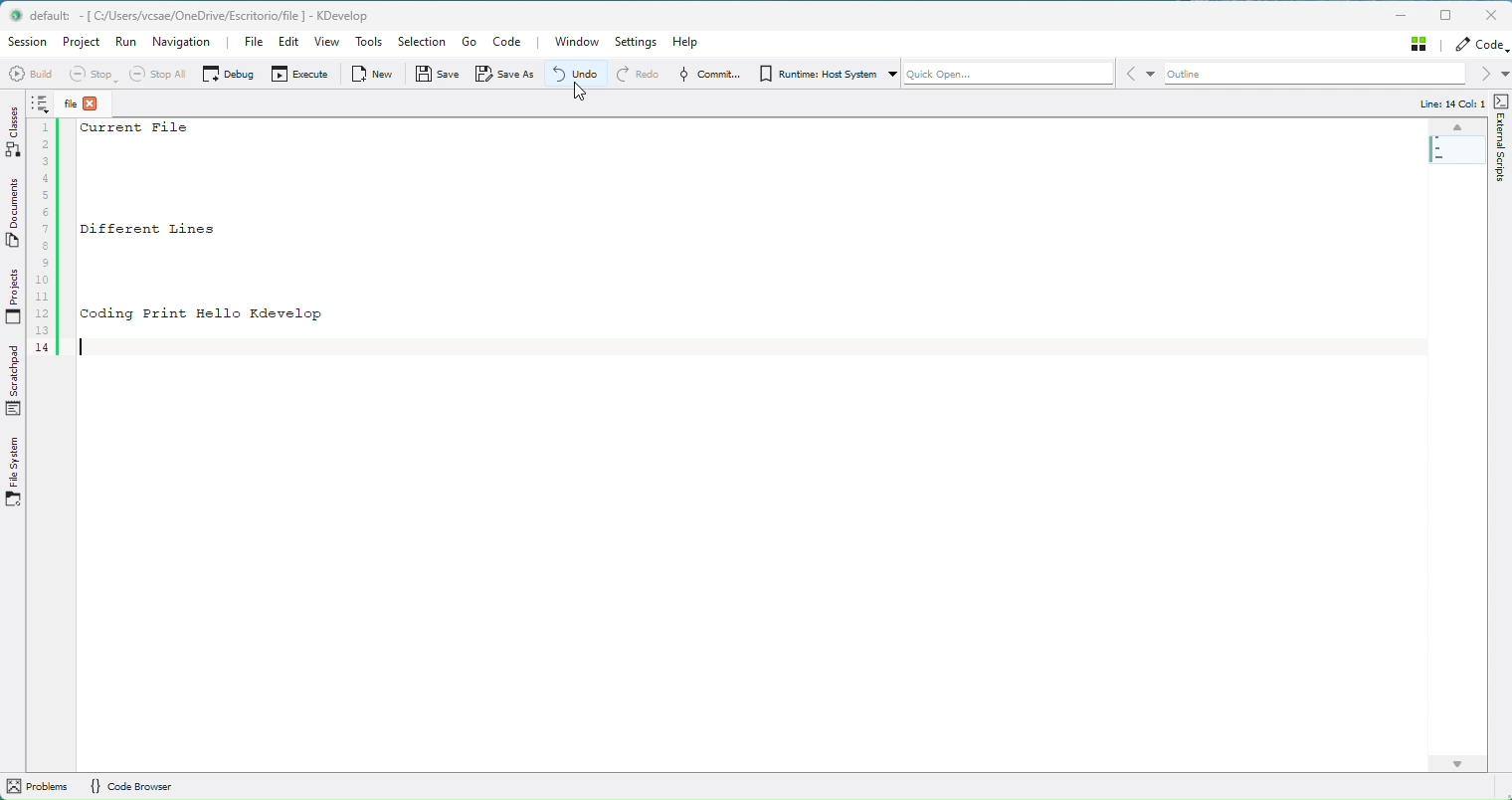  I want to click on Undo, so click(582, 74).